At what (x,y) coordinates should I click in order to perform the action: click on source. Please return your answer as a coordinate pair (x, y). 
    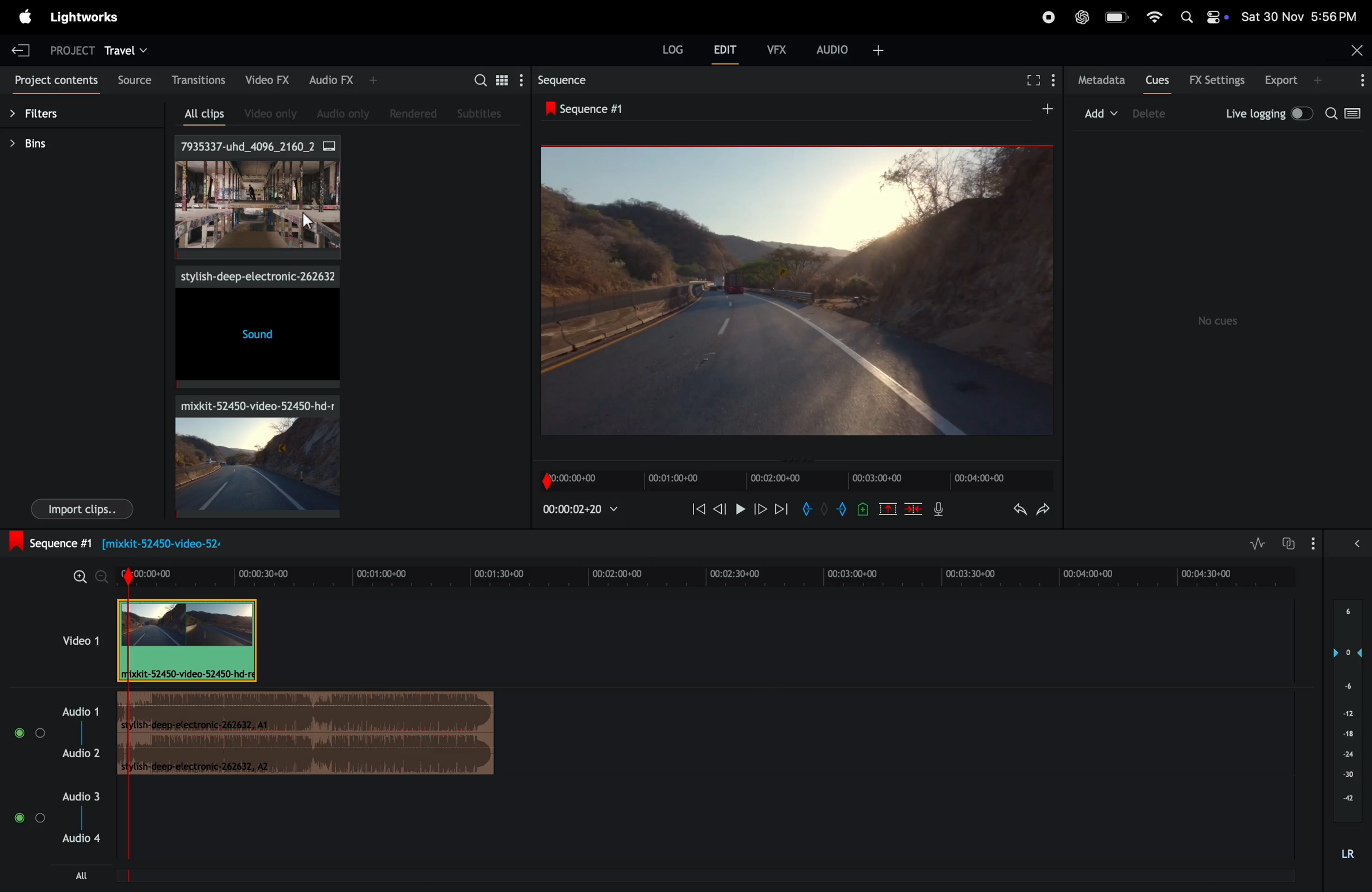
    Looking at the image, I should click on (133, 78).